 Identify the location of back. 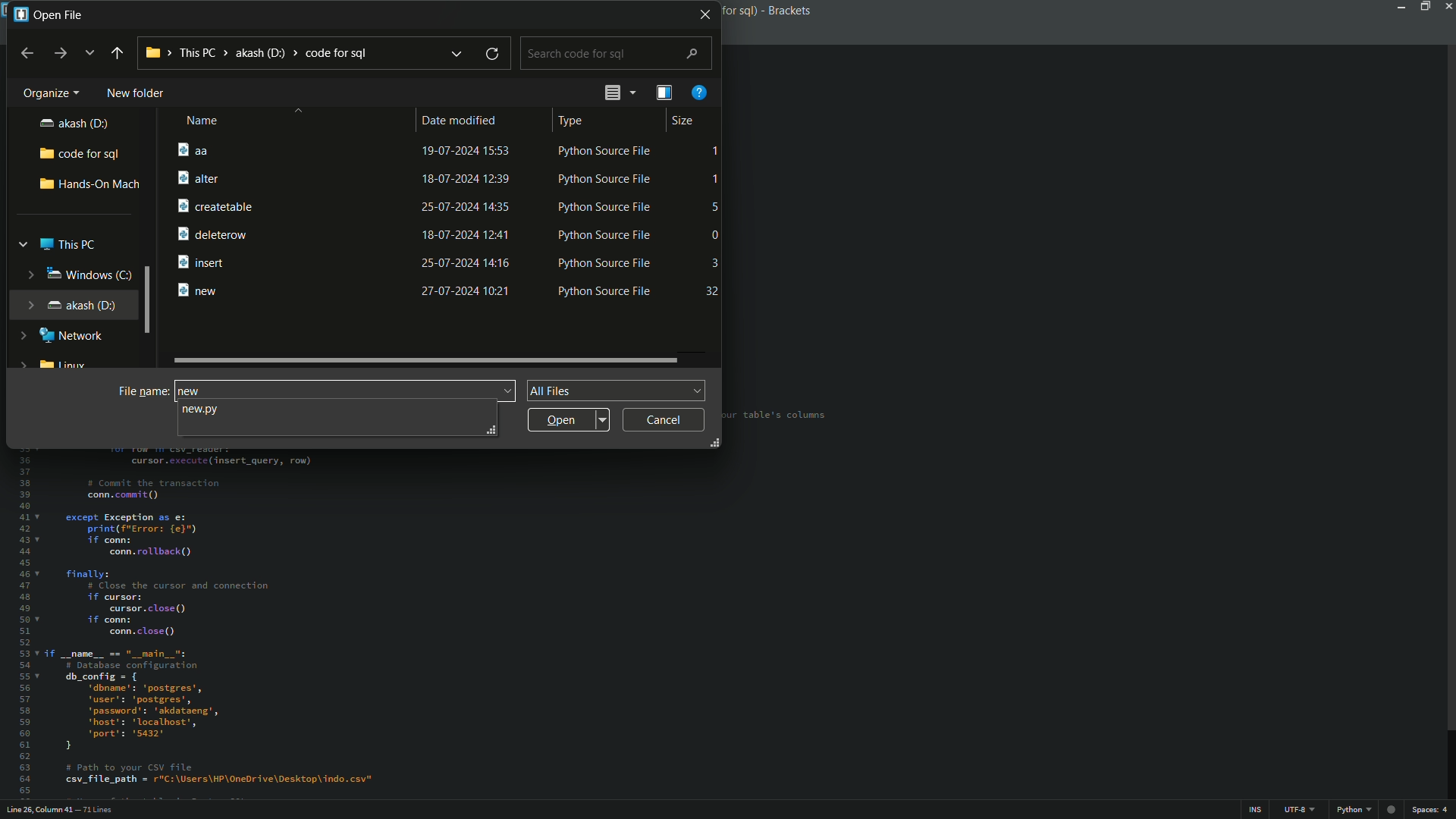
(28, 52).